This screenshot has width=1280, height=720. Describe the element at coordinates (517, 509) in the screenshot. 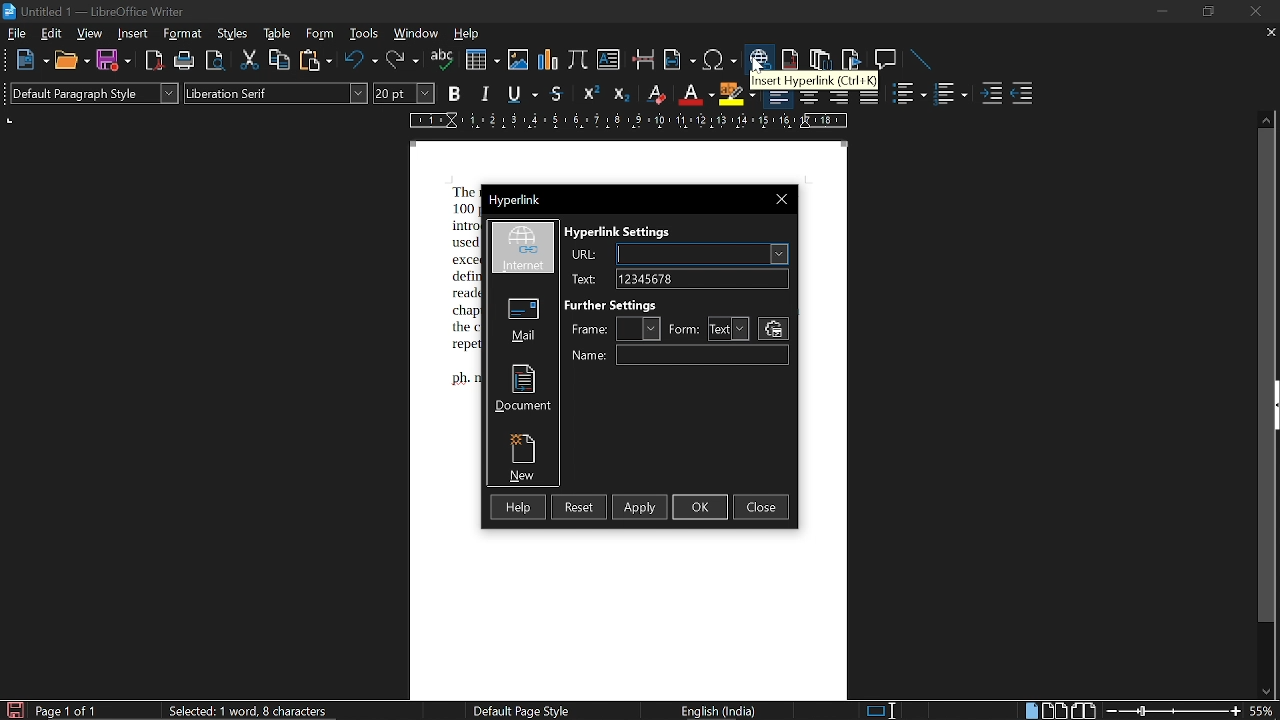

I see `help` at that location.